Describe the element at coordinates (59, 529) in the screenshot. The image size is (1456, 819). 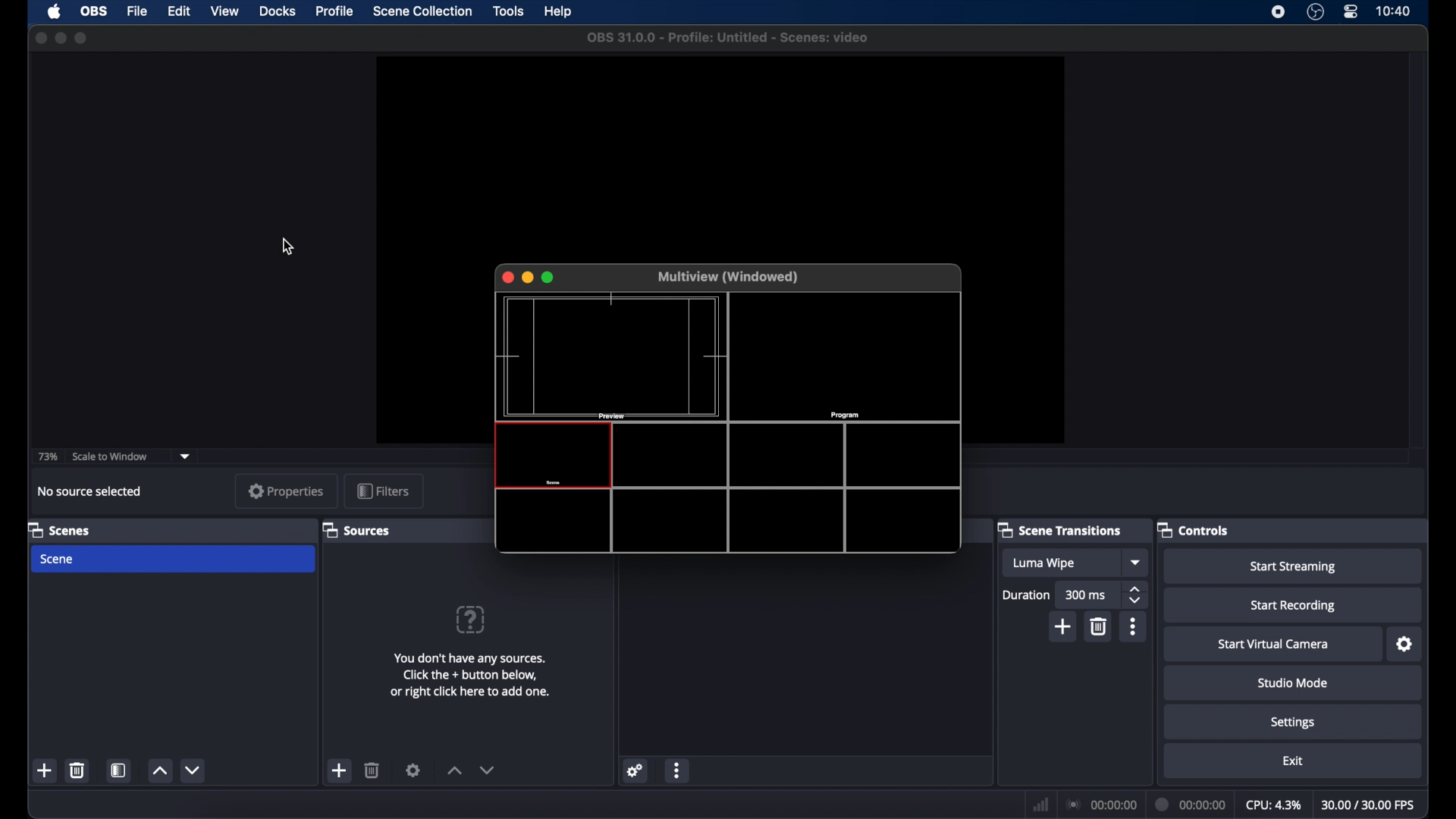
I see `scenes` at that location.